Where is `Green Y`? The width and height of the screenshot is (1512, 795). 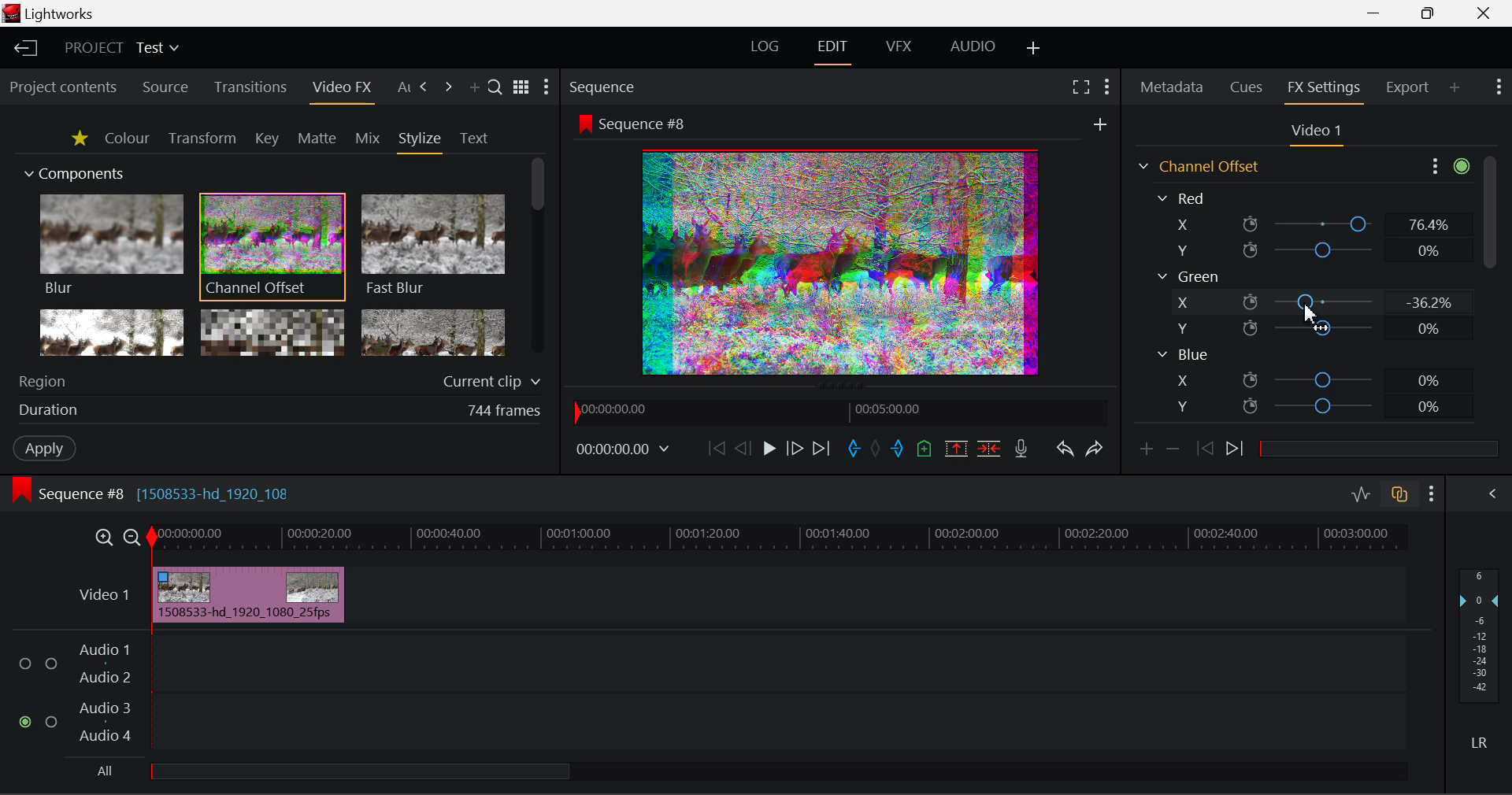
Green Y is located at coordinates (1308, 327).